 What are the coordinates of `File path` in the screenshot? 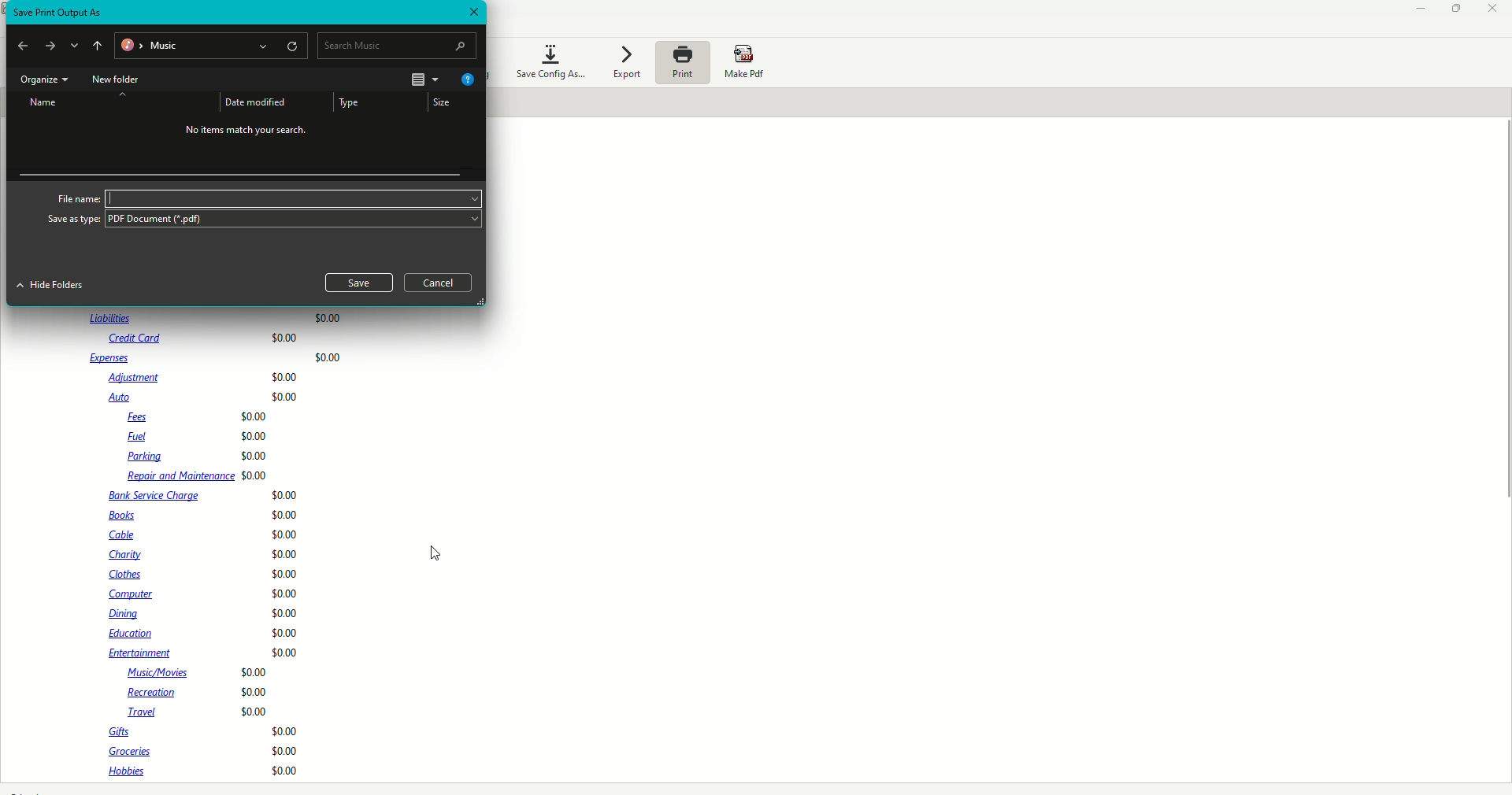 It's located at (212, 47).